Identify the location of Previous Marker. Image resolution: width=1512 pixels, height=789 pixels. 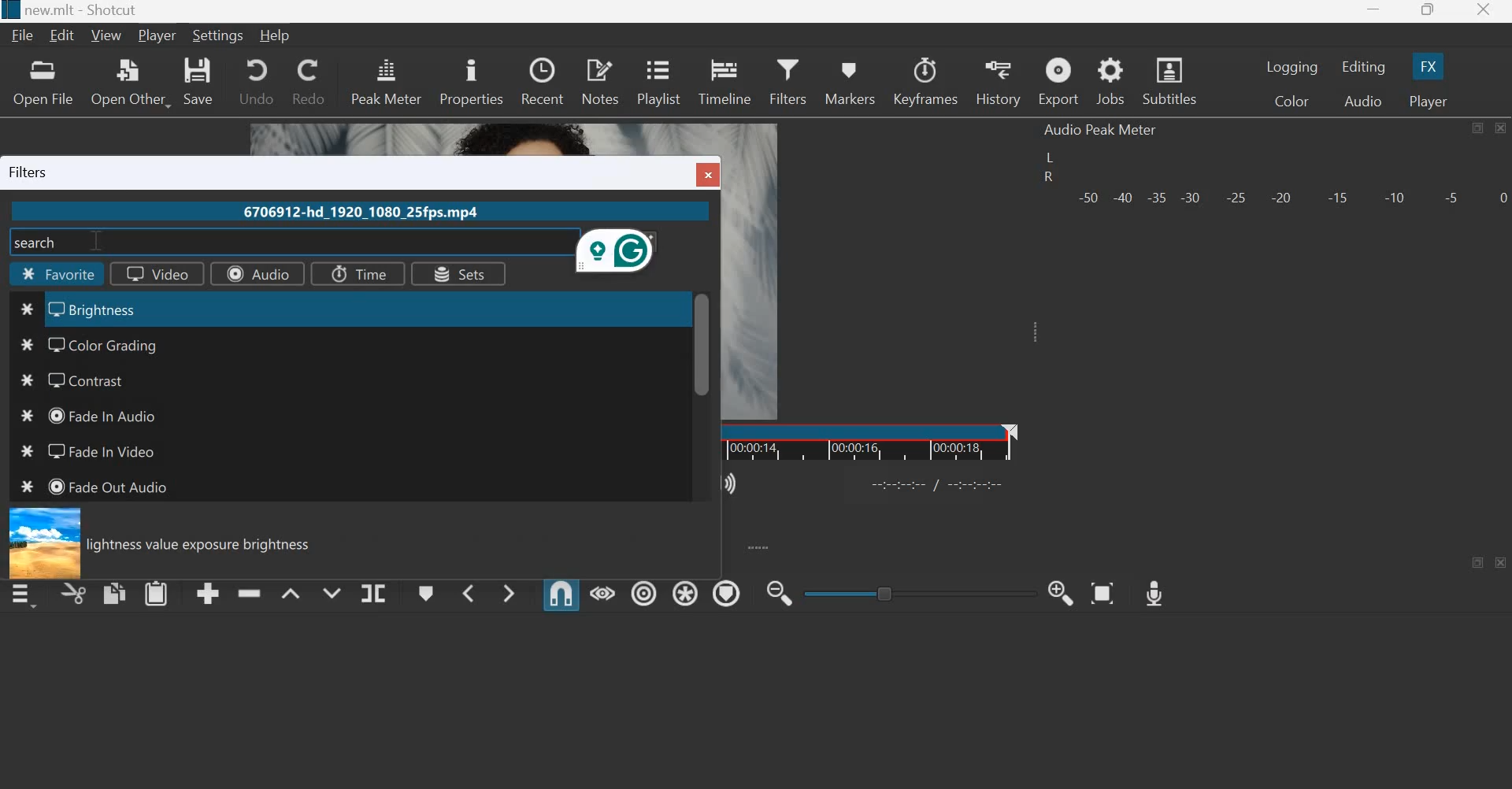
(468, 592).